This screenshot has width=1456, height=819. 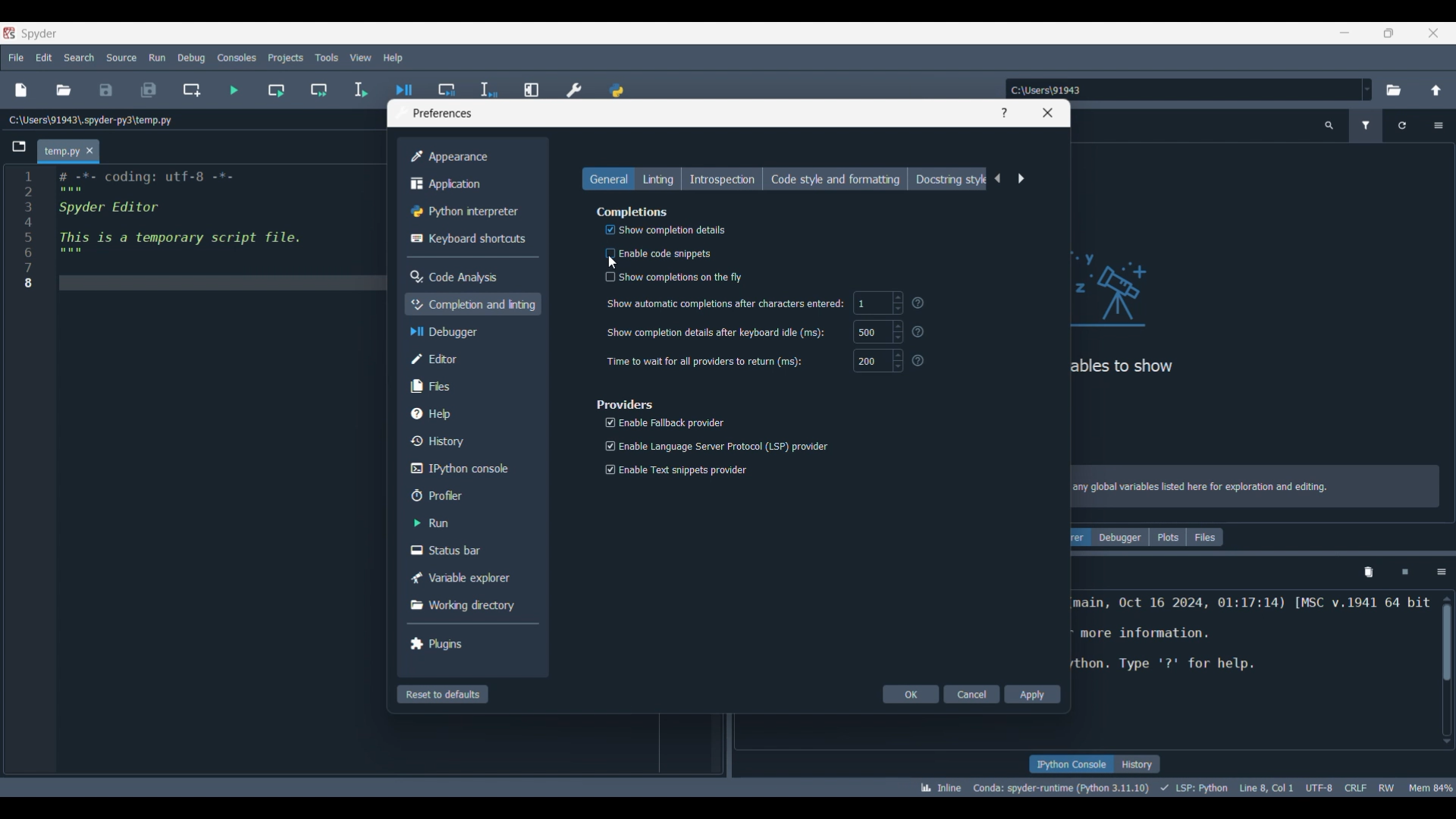 I want to click on Docstring style, so click(x=948, y=179).